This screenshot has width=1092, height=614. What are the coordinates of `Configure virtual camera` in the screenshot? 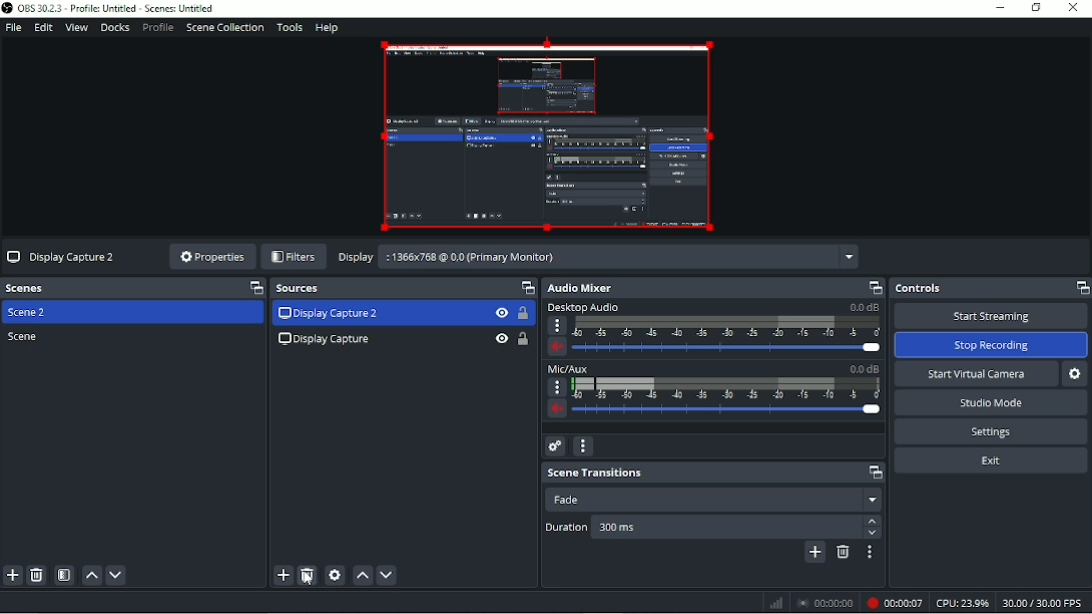 It's located at (1075, 374).